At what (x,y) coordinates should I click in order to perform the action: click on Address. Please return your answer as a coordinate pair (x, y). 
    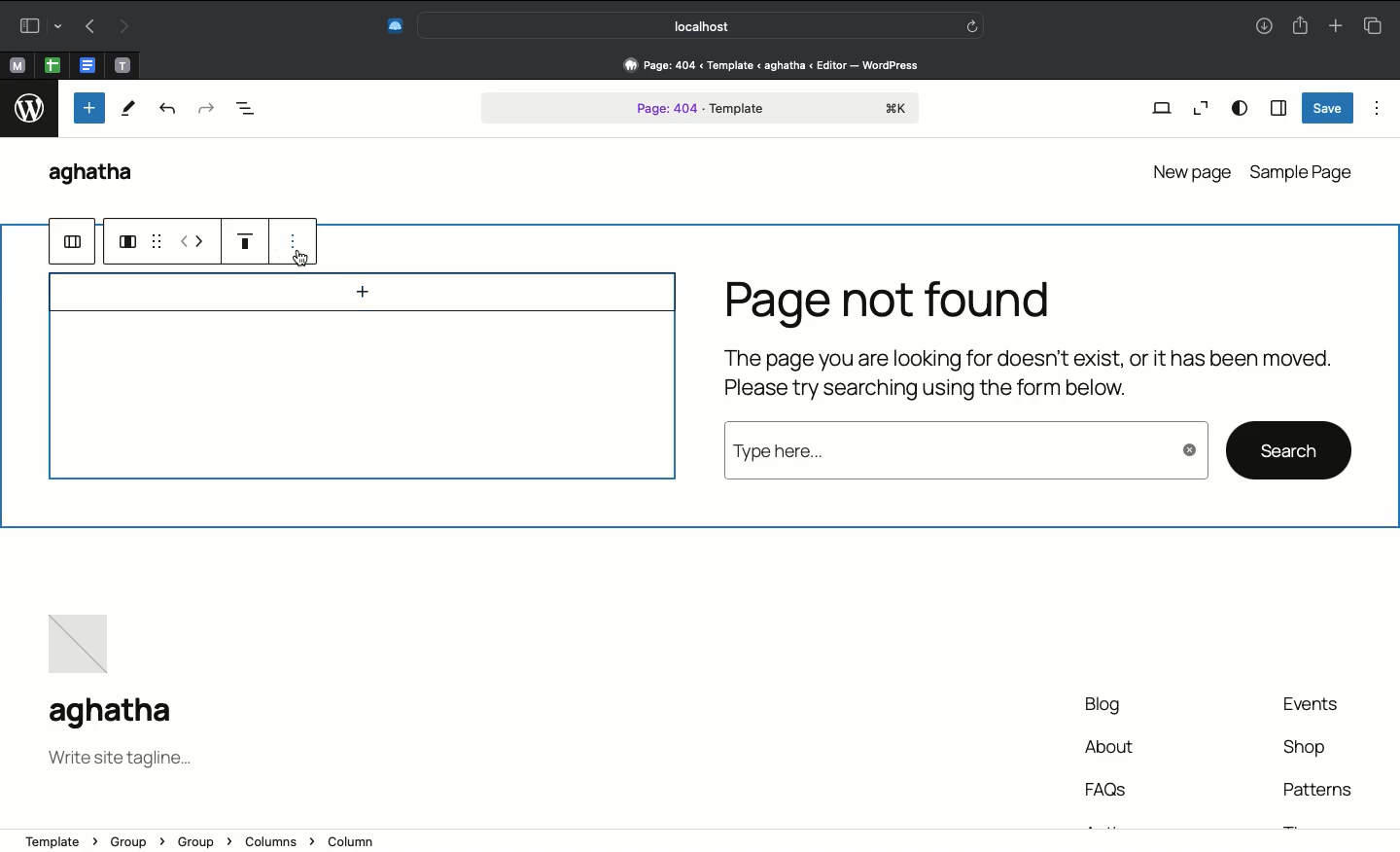
    Looking at the image, I should click on (761, 65).